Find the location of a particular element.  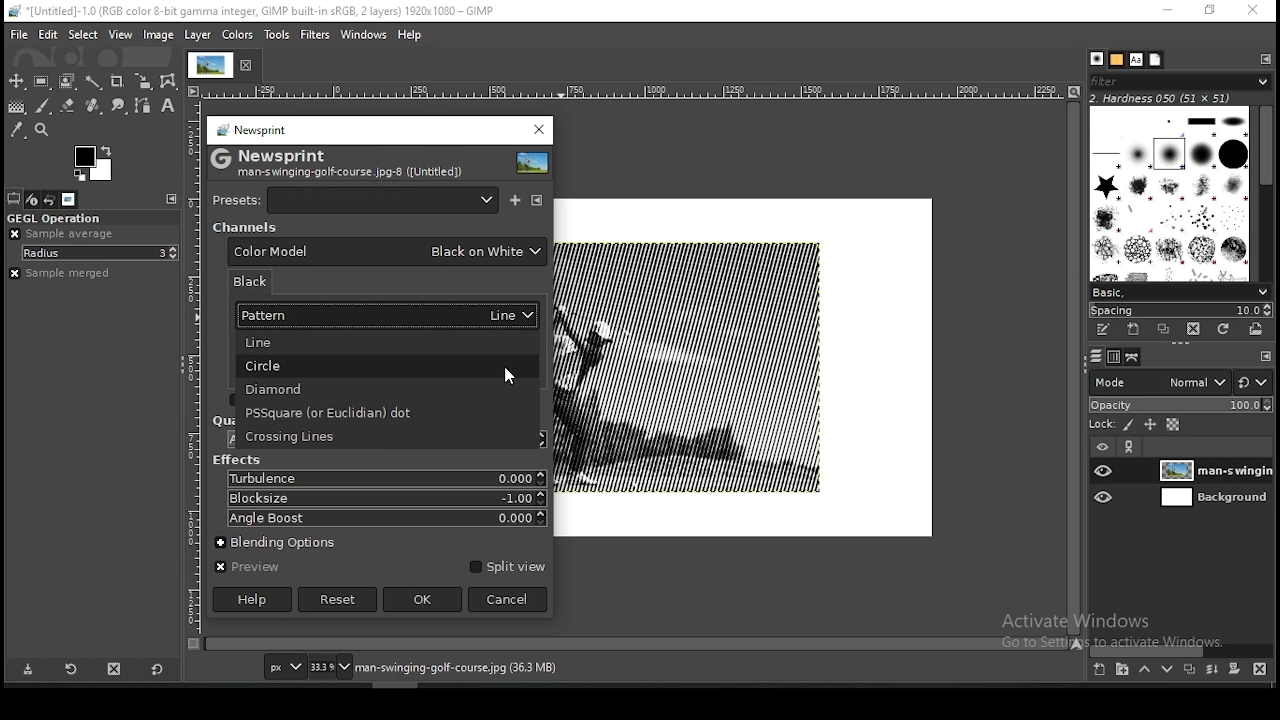

close window is located at coordinates (1253, 10).